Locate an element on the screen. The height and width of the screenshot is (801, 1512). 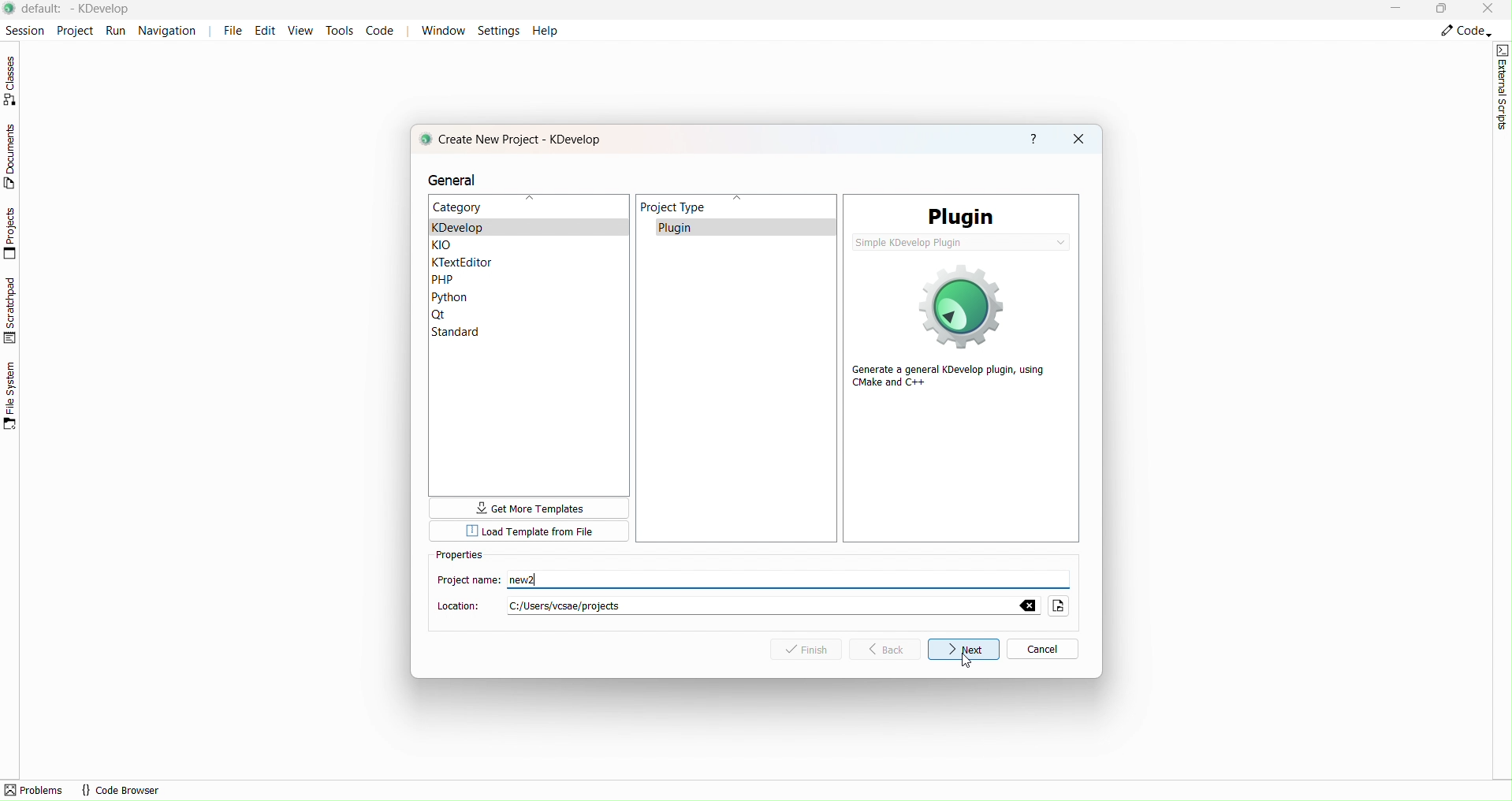
External script is located at coordinates (1503, 87).